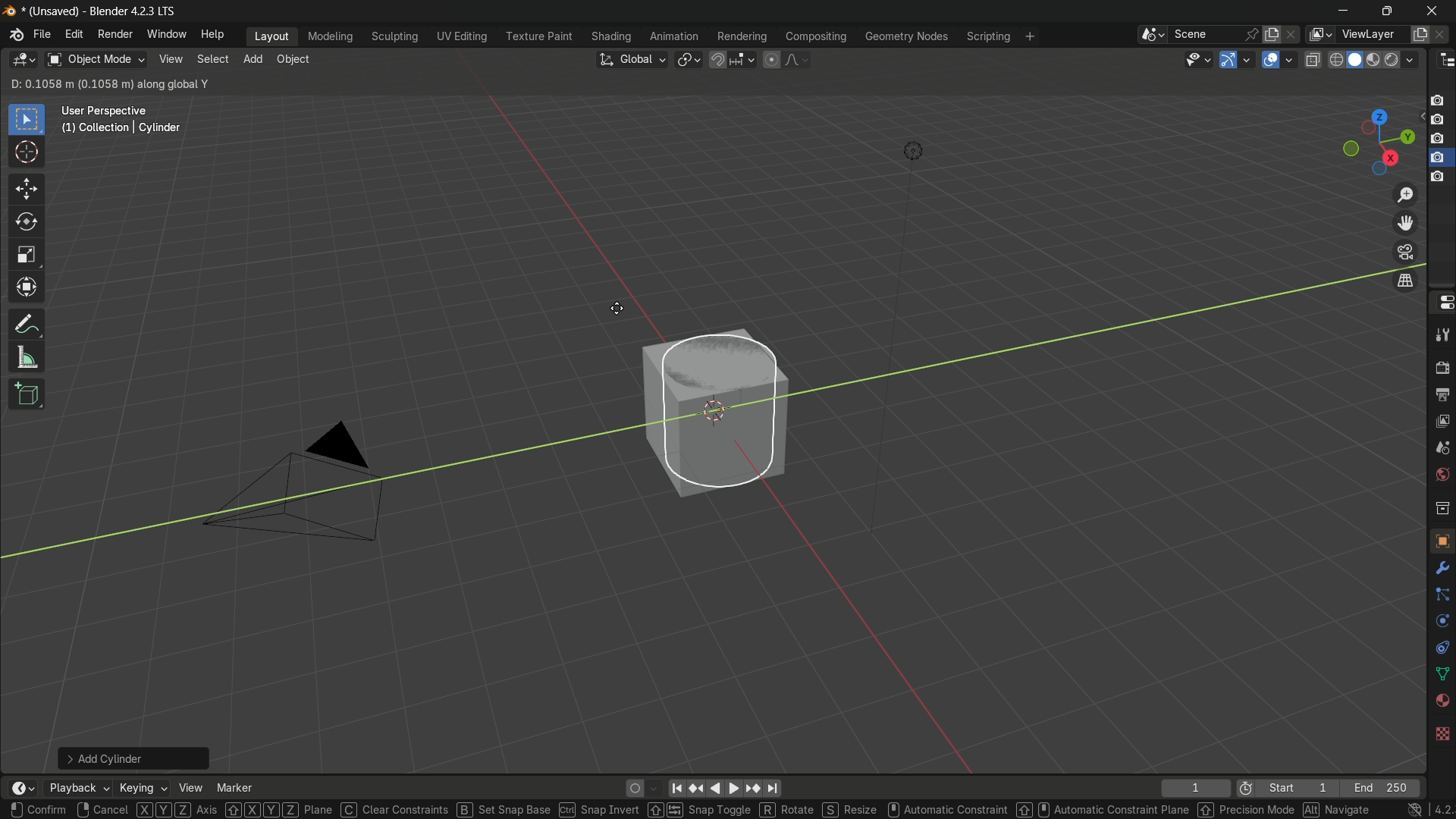 This screenshot has height=819, width=1456. What do you see at coordinates (632, 59) in the screenshot?
I see `transformation orientation` at bounding box center [632, 59].